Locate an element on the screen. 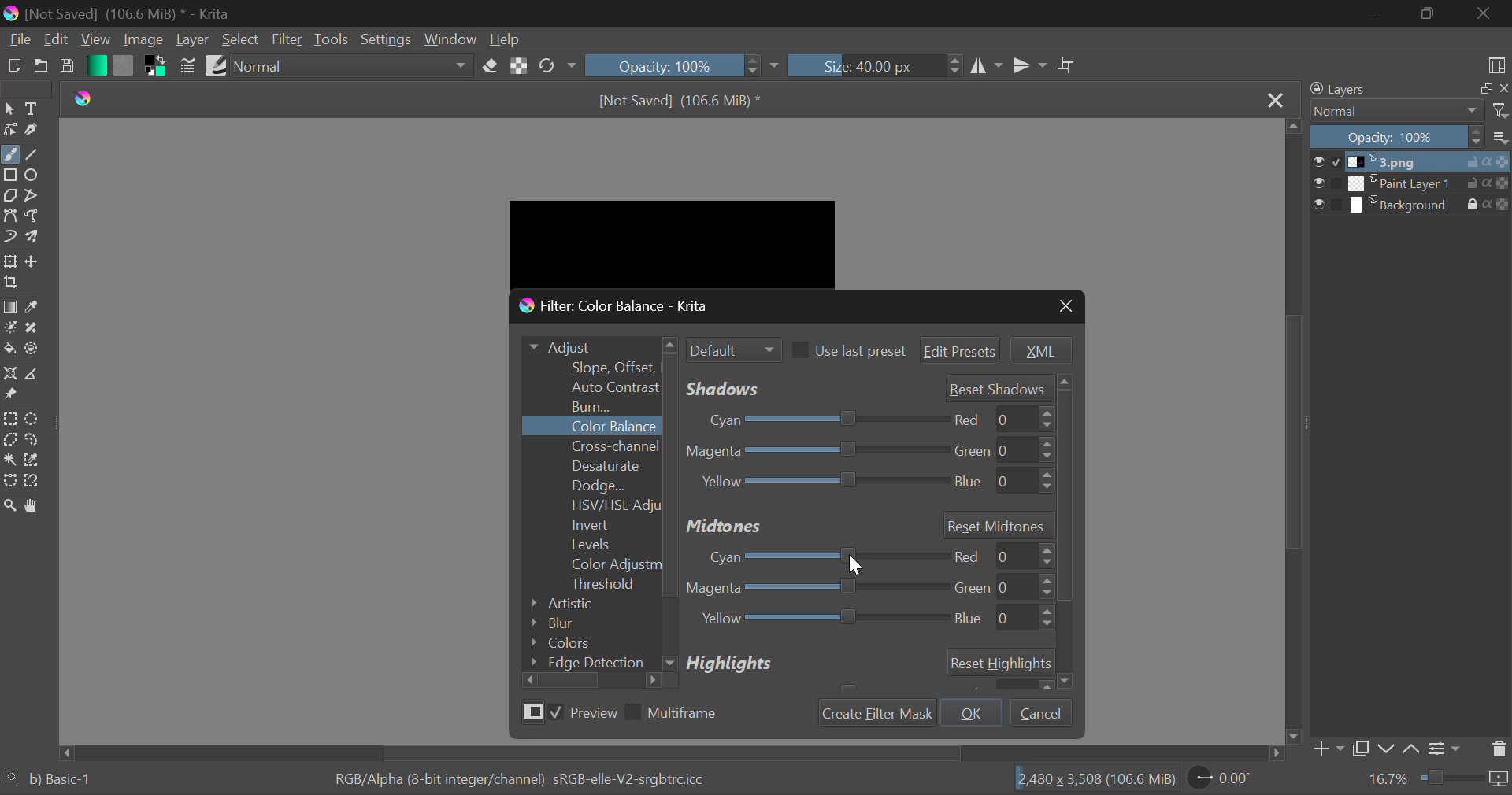 This screenshot has height=795, width=1512. Select is located at coordinates (243, 39).